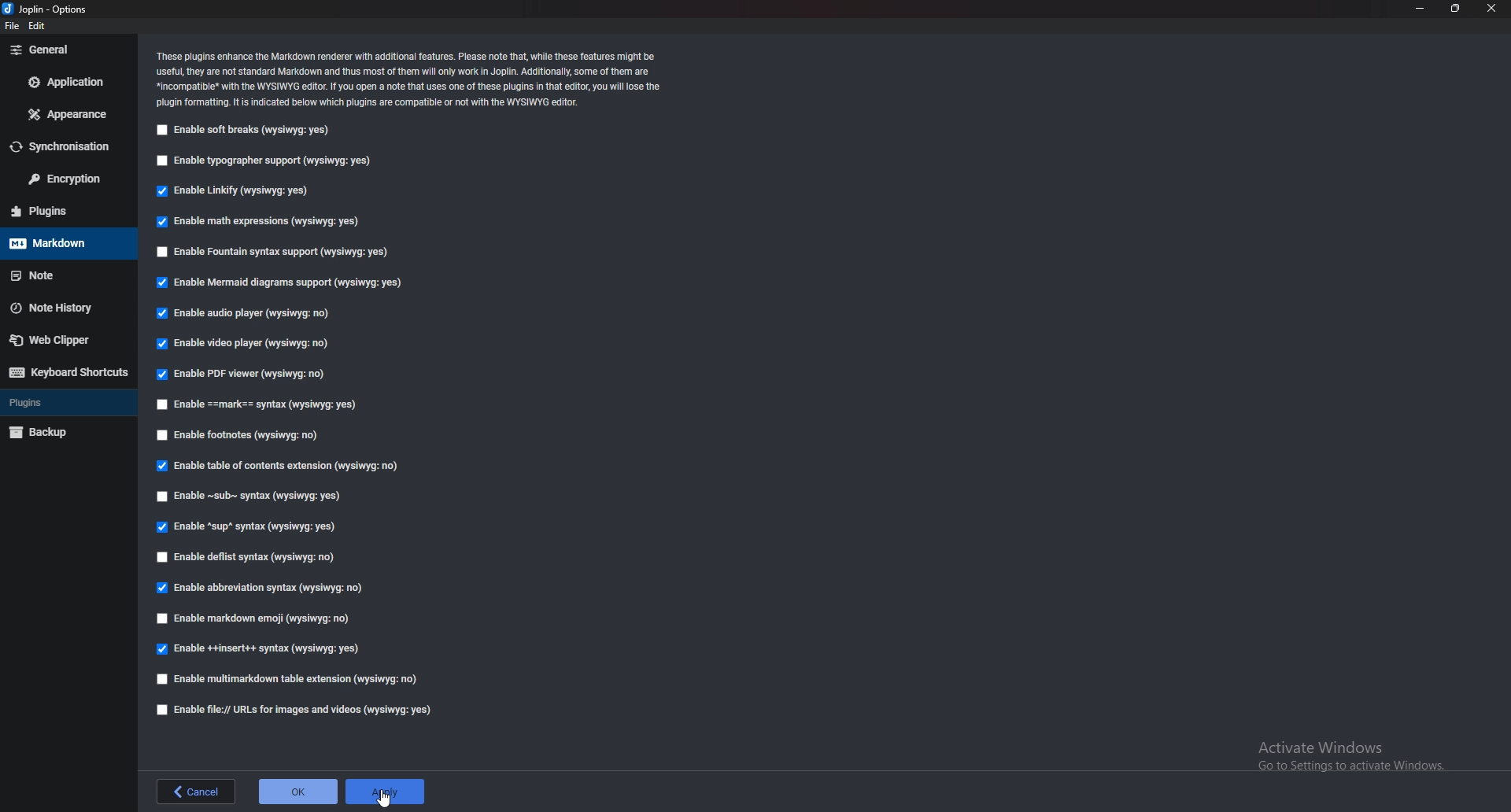 This screenshot has height=812, width=1511. Describe the element at coordinates (68, 148) in the screenshot. I see `Synchronization` at that location.